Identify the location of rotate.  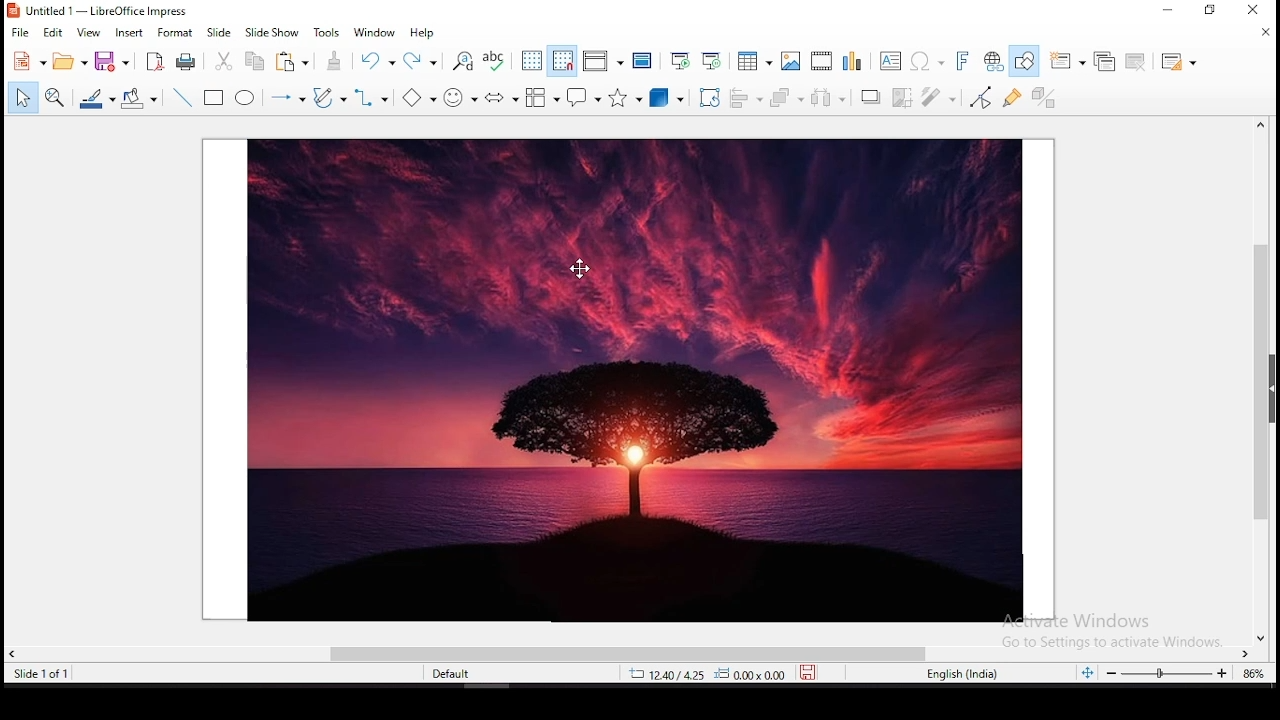
(707, 99).